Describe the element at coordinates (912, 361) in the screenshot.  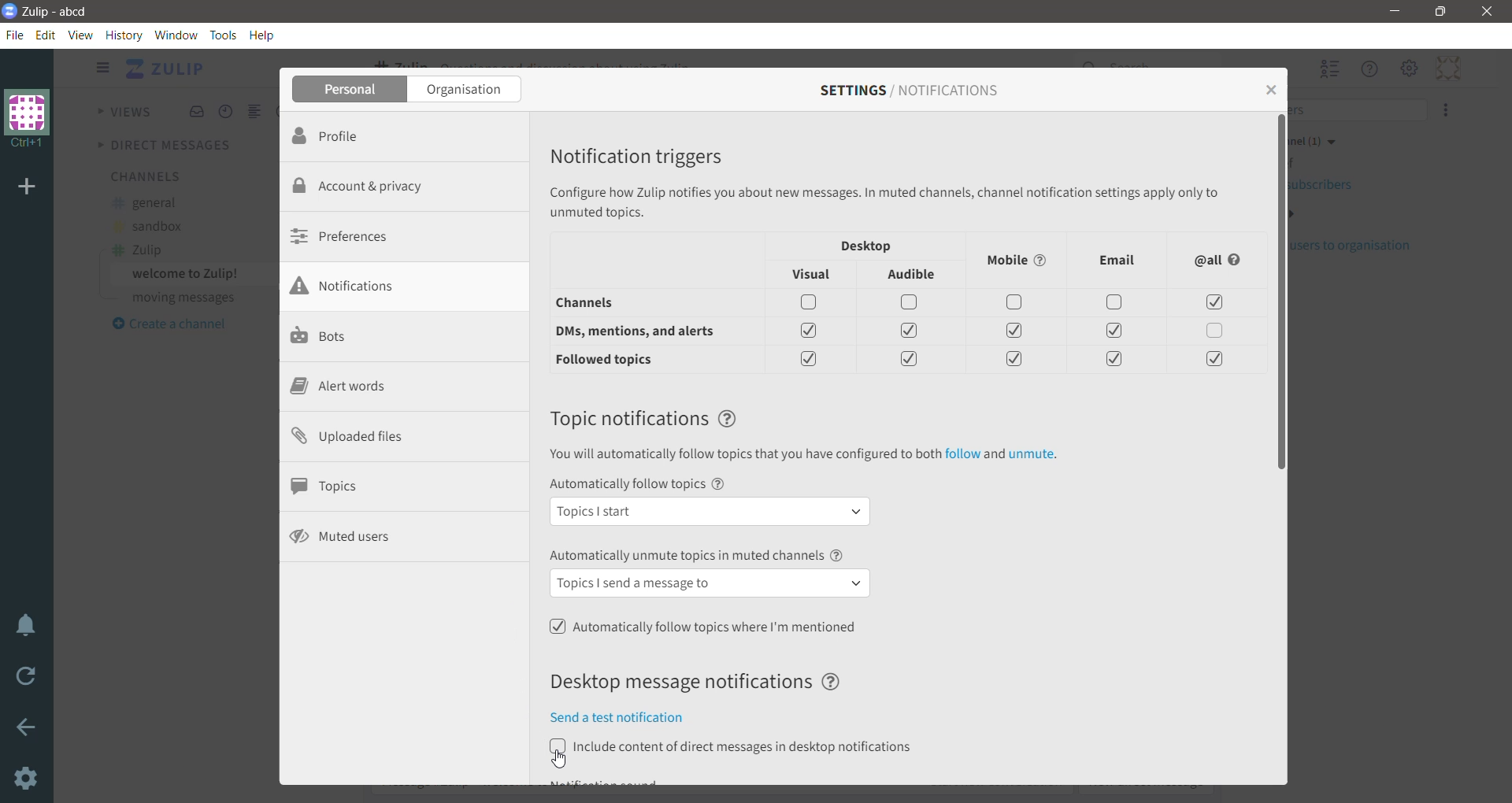
I see `check box` at that location.